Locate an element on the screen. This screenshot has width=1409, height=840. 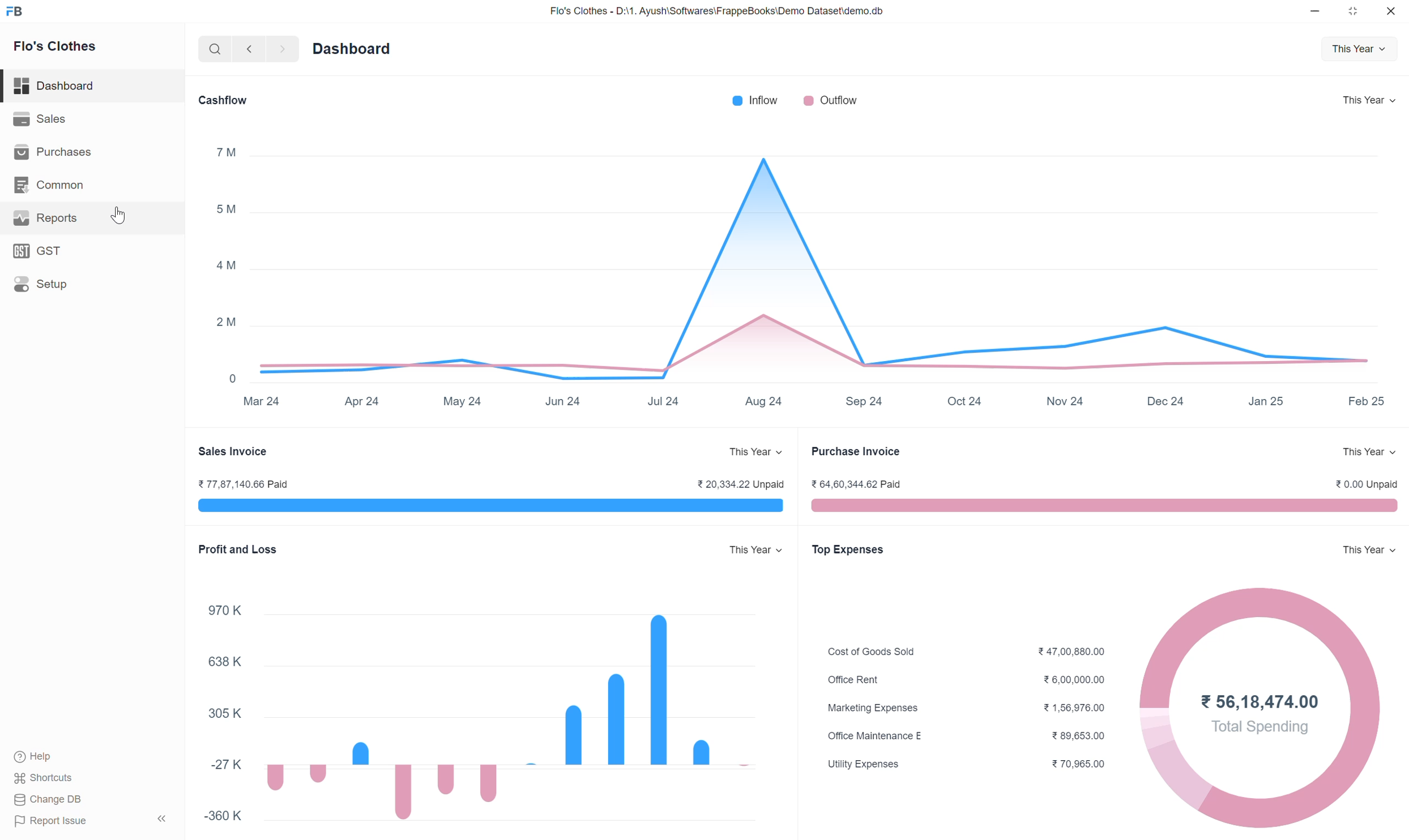
this year is located at coordinates (1354, 49).